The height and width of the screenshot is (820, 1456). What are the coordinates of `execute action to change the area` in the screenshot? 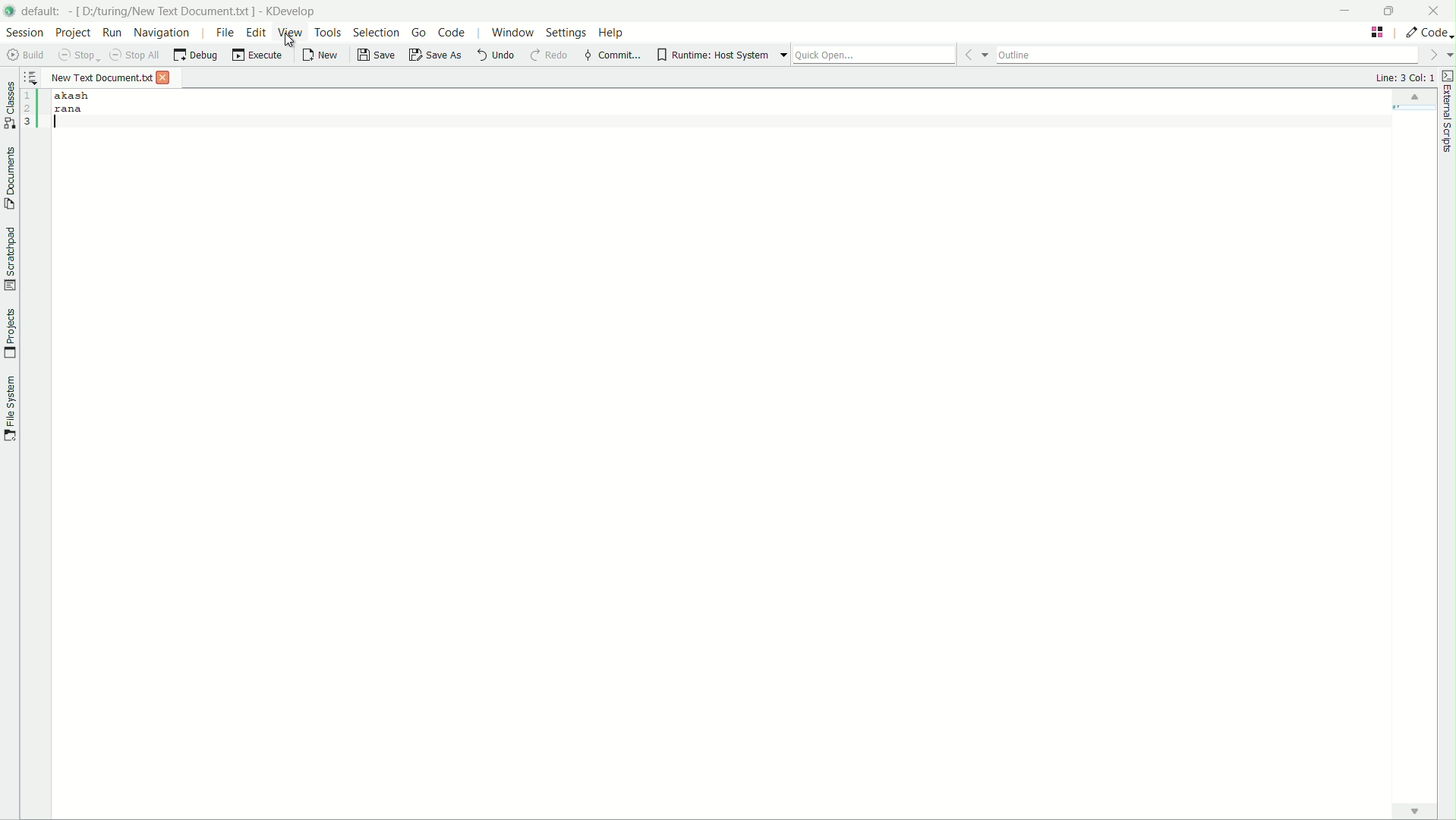 It's located at (1427, 33).